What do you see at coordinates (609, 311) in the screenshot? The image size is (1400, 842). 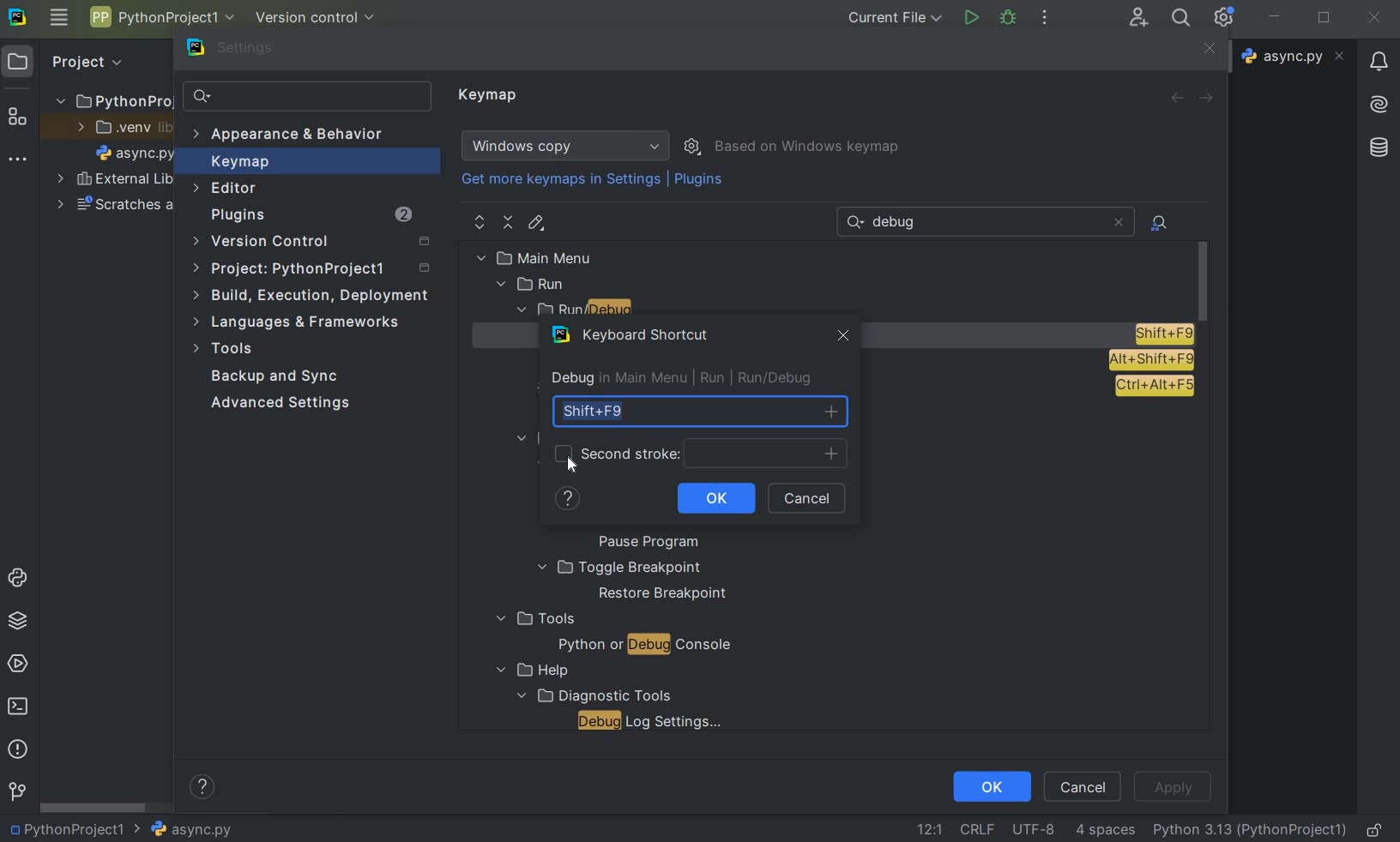 I see `run/debug` at bounding box center [609, 311].